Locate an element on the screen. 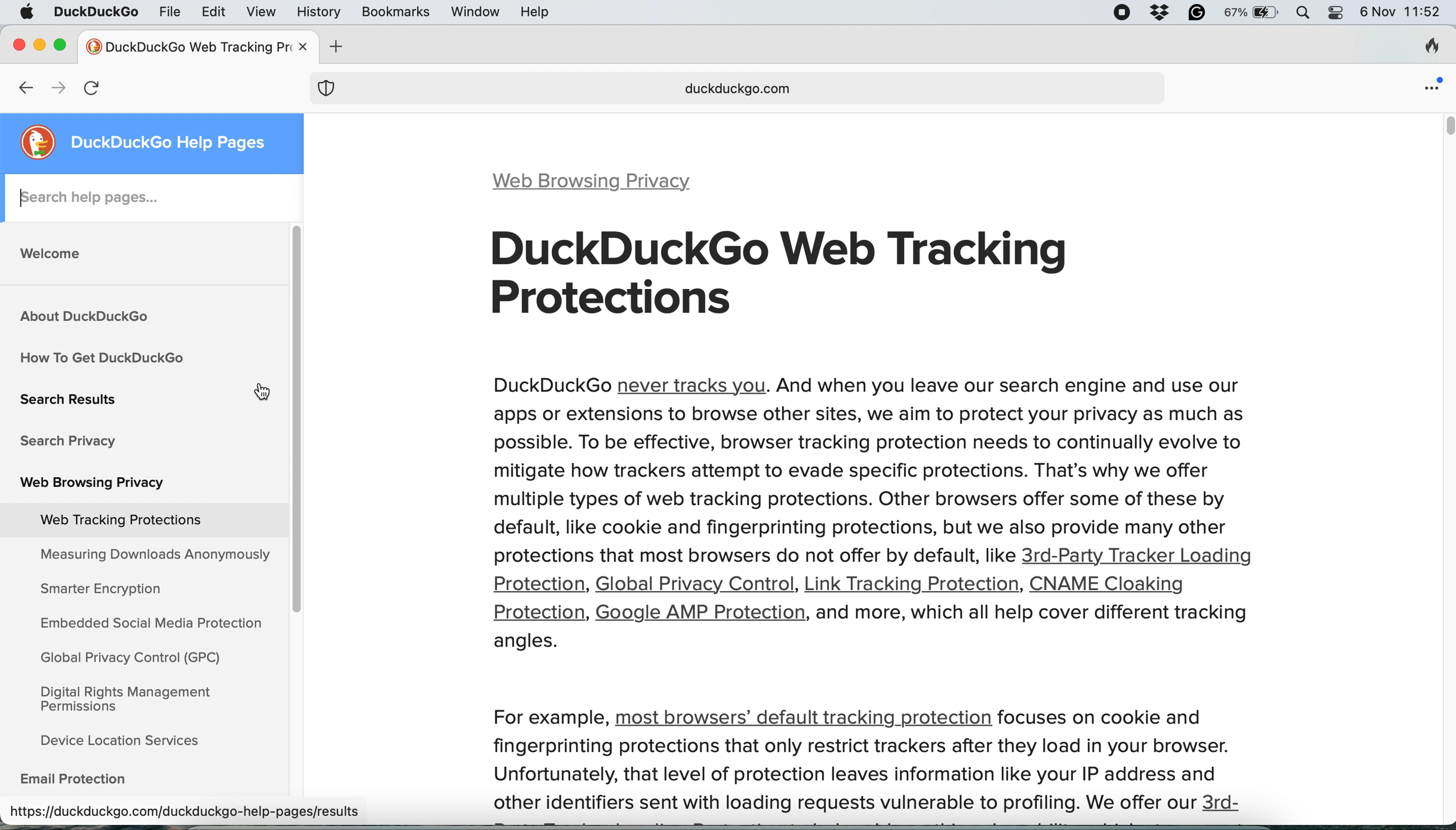 The image size is (1456, 830). open application menu is located at coordinates (1431, 87).